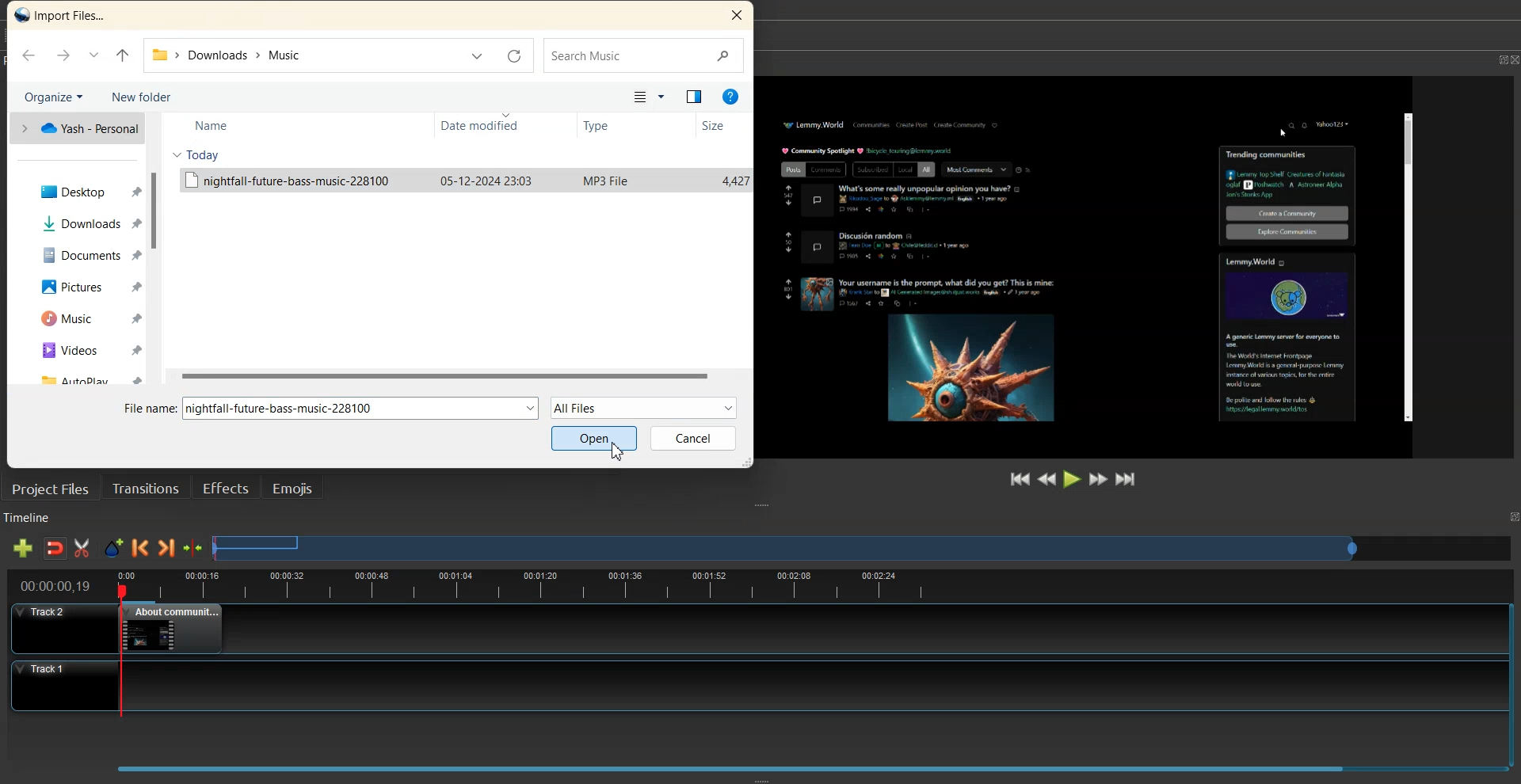  I want to click on , so click(1409, 270).